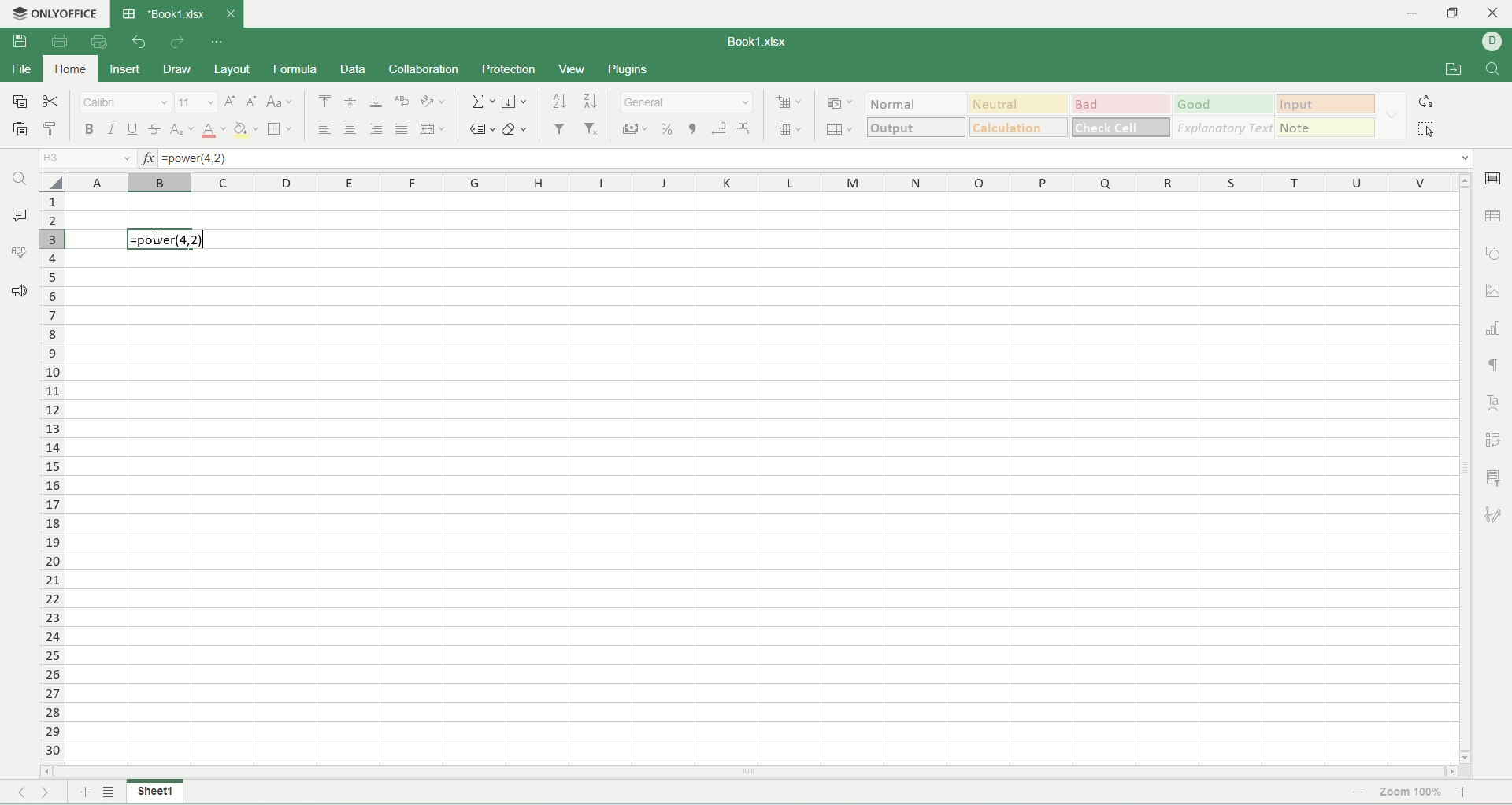 Image resolution: width=1512 pixels, height=805 pixels. I want to click on minimize, so click(1421, 14).